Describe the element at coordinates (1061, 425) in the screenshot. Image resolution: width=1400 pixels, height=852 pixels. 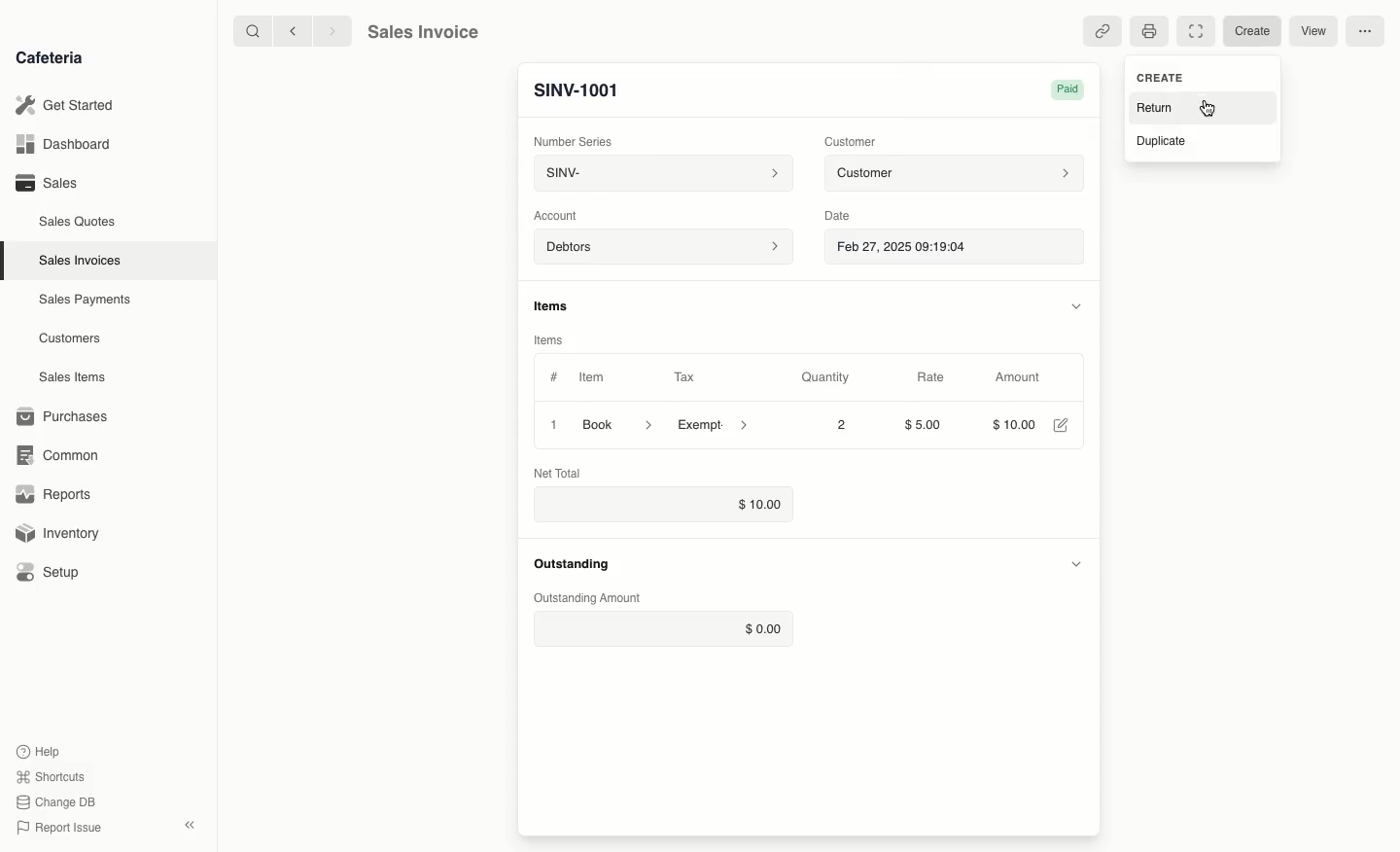
I see `Edit` at that location.